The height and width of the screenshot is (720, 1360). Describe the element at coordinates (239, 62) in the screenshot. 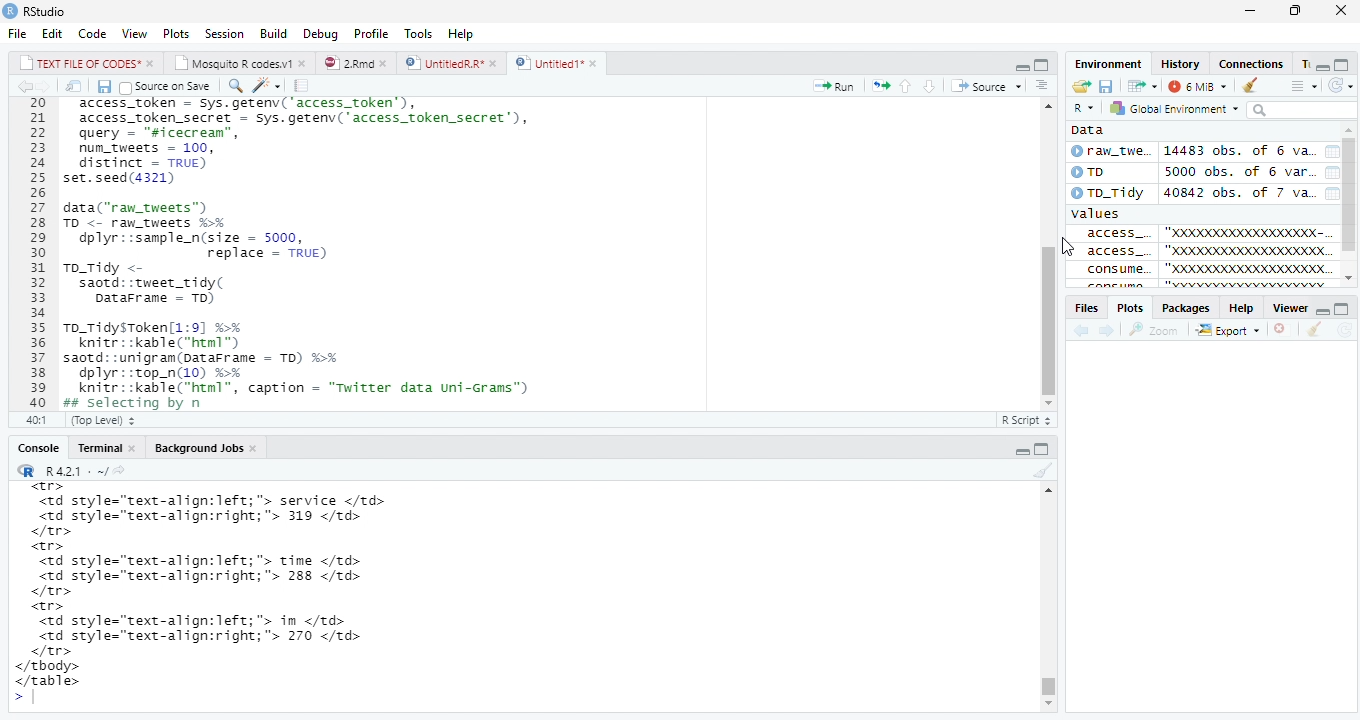

I see `| Mosauito R codes.y!` at that location.